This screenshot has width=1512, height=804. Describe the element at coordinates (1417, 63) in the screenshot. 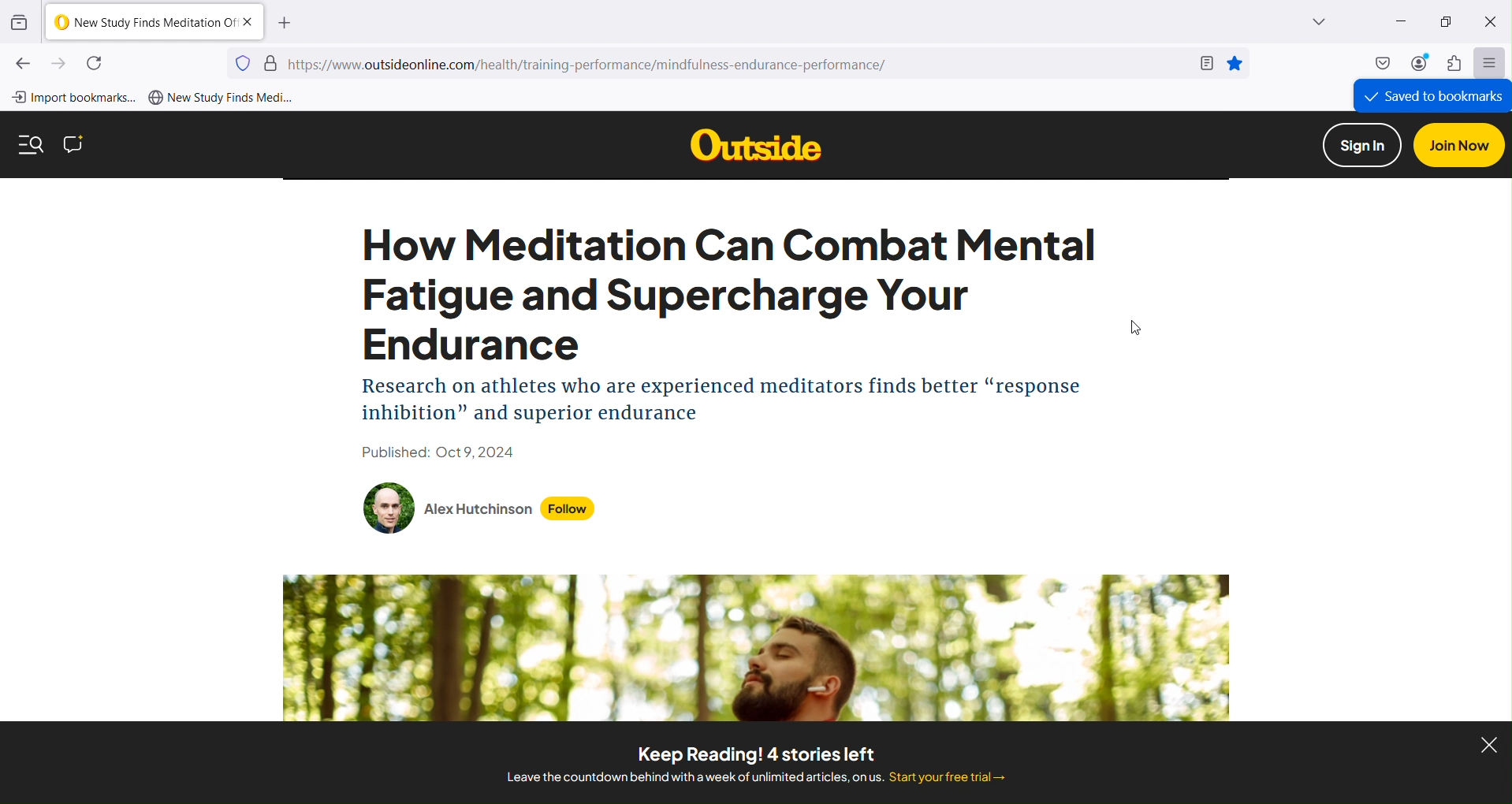

I see `Account` at that location.